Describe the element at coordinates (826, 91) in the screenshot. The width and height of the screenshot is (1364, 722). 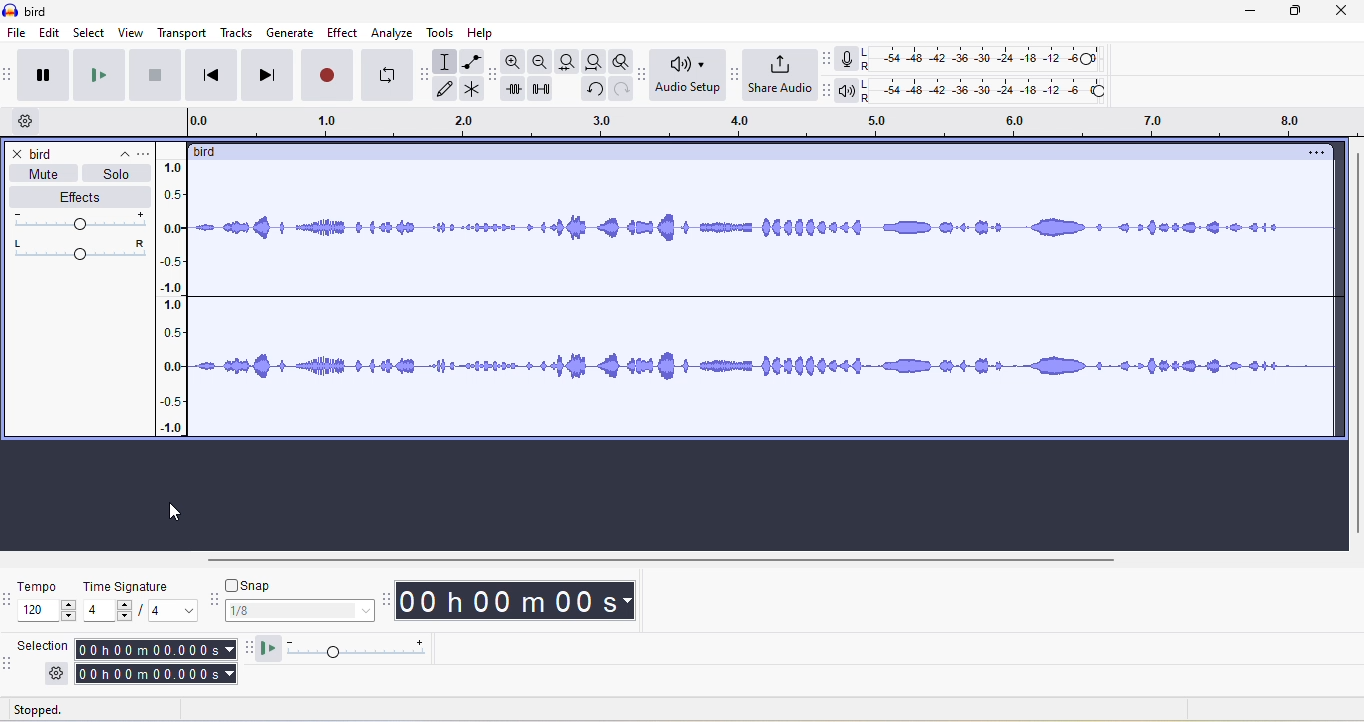
I see `audacity playback meter toolbar` at that location.